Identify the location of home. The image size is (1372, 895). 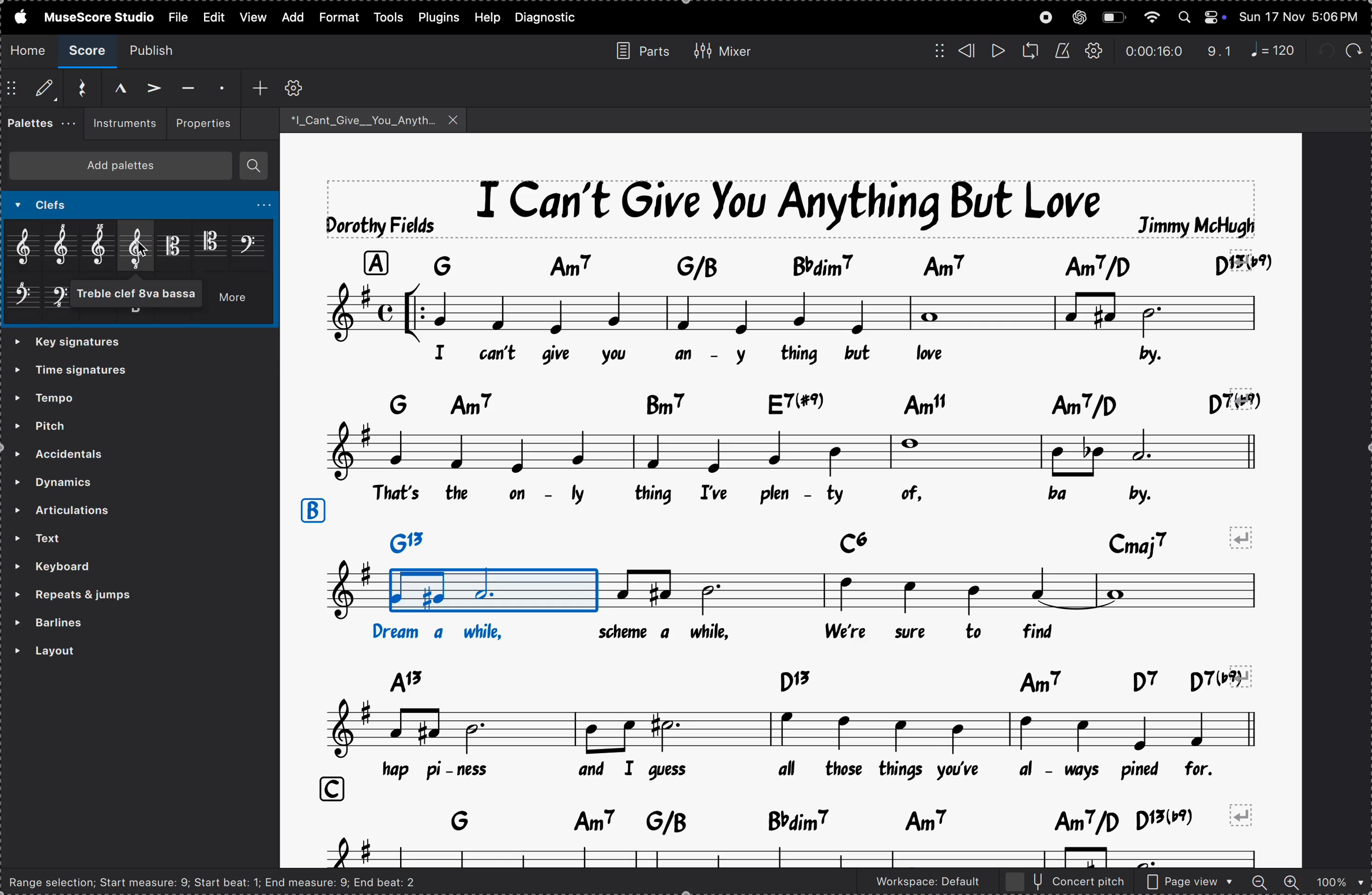
(29, 50).